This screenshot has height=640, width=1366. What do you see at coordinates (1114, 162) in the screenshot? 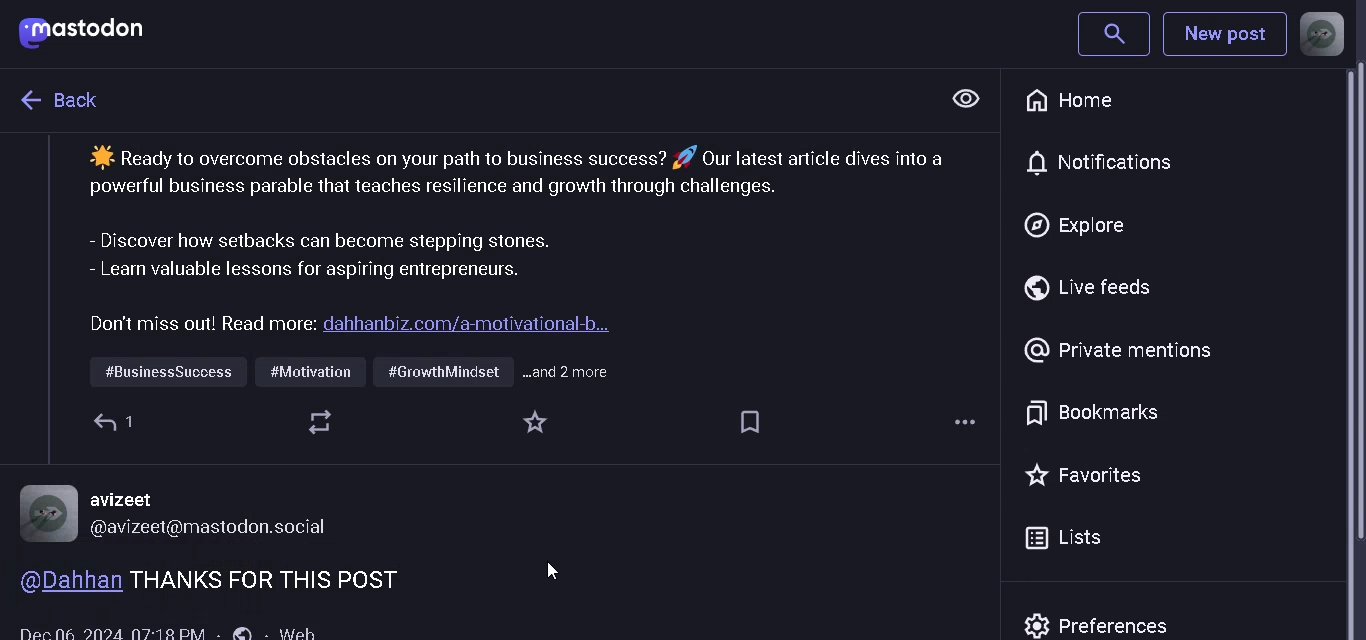
I see `notification` at bounding box center [1114, 162].